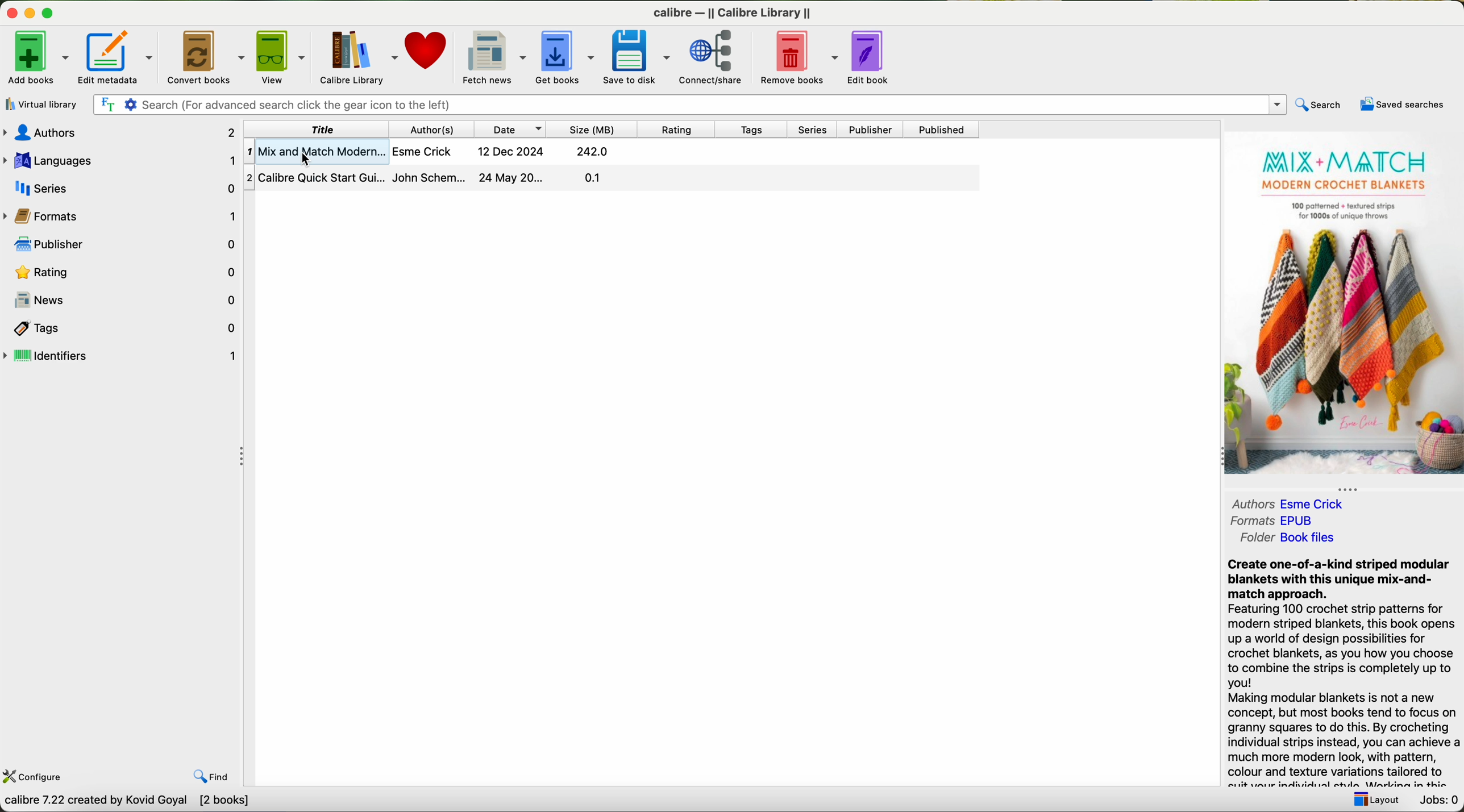  I want to click on save to disk, so click(639, 56).